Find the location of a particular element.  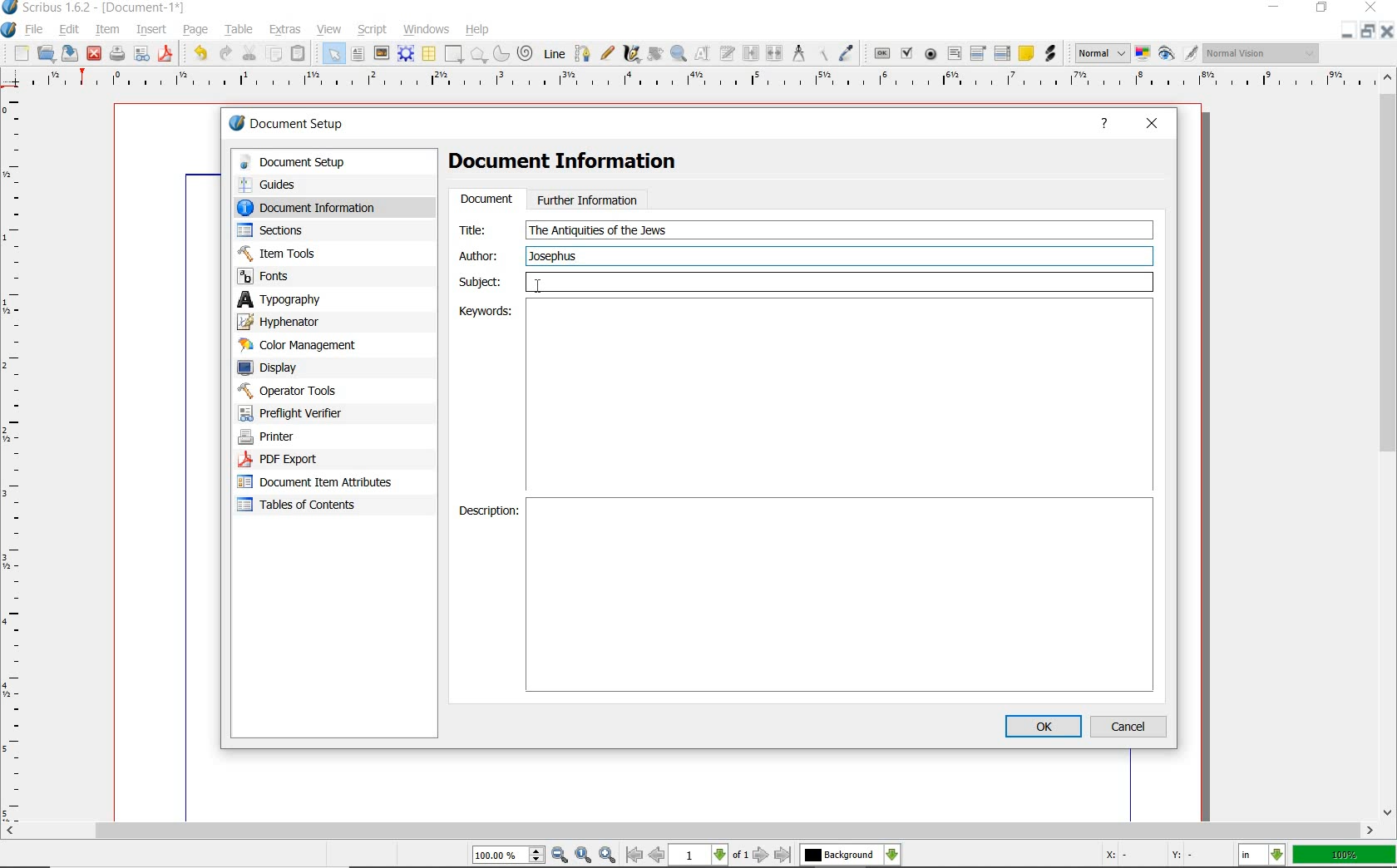

open is located at coordinates (47, 53).